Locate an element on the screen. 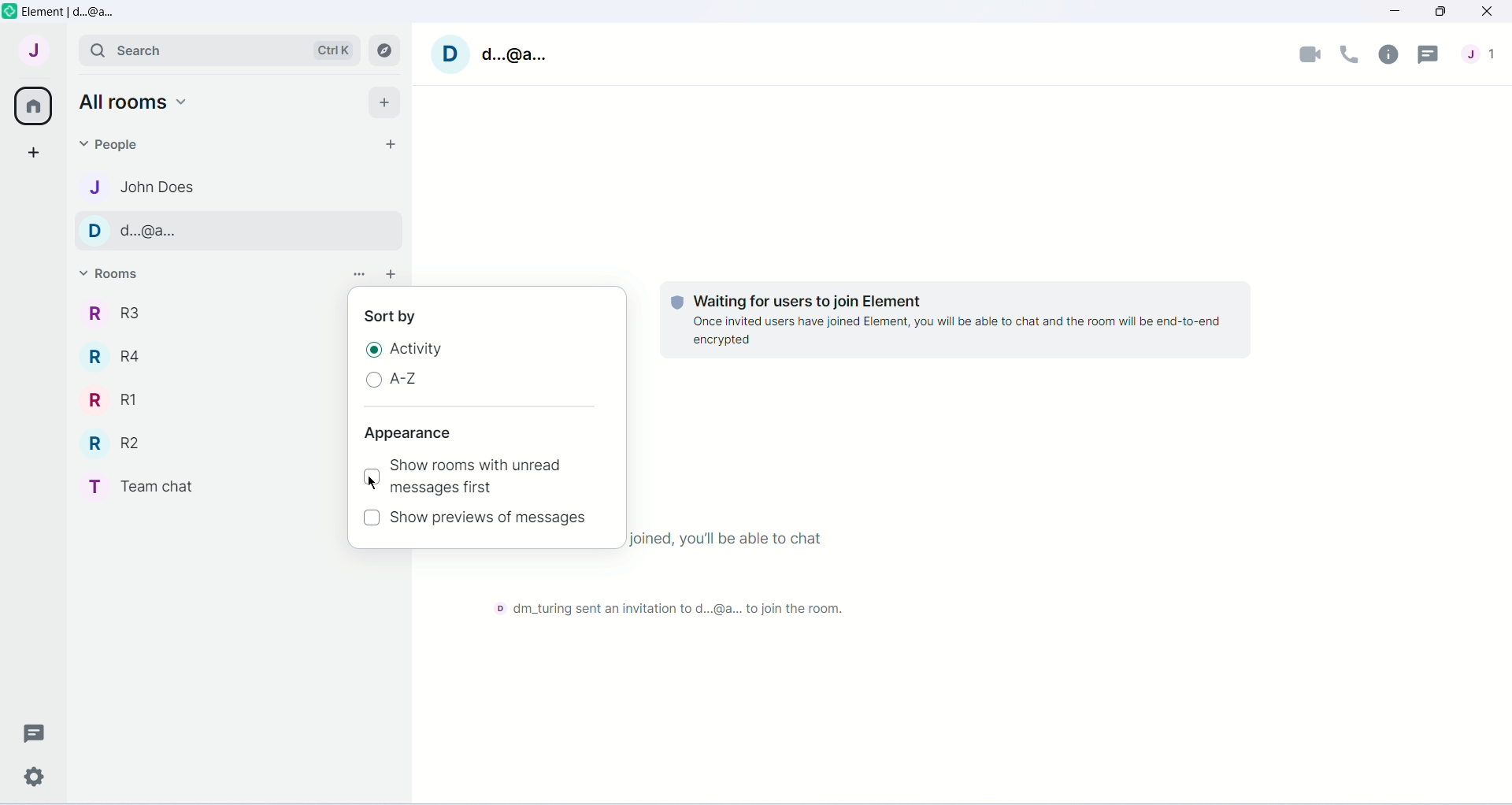 This screenshot has width=1512, height=805. Element d..@a is located at coordinates (69, 9).